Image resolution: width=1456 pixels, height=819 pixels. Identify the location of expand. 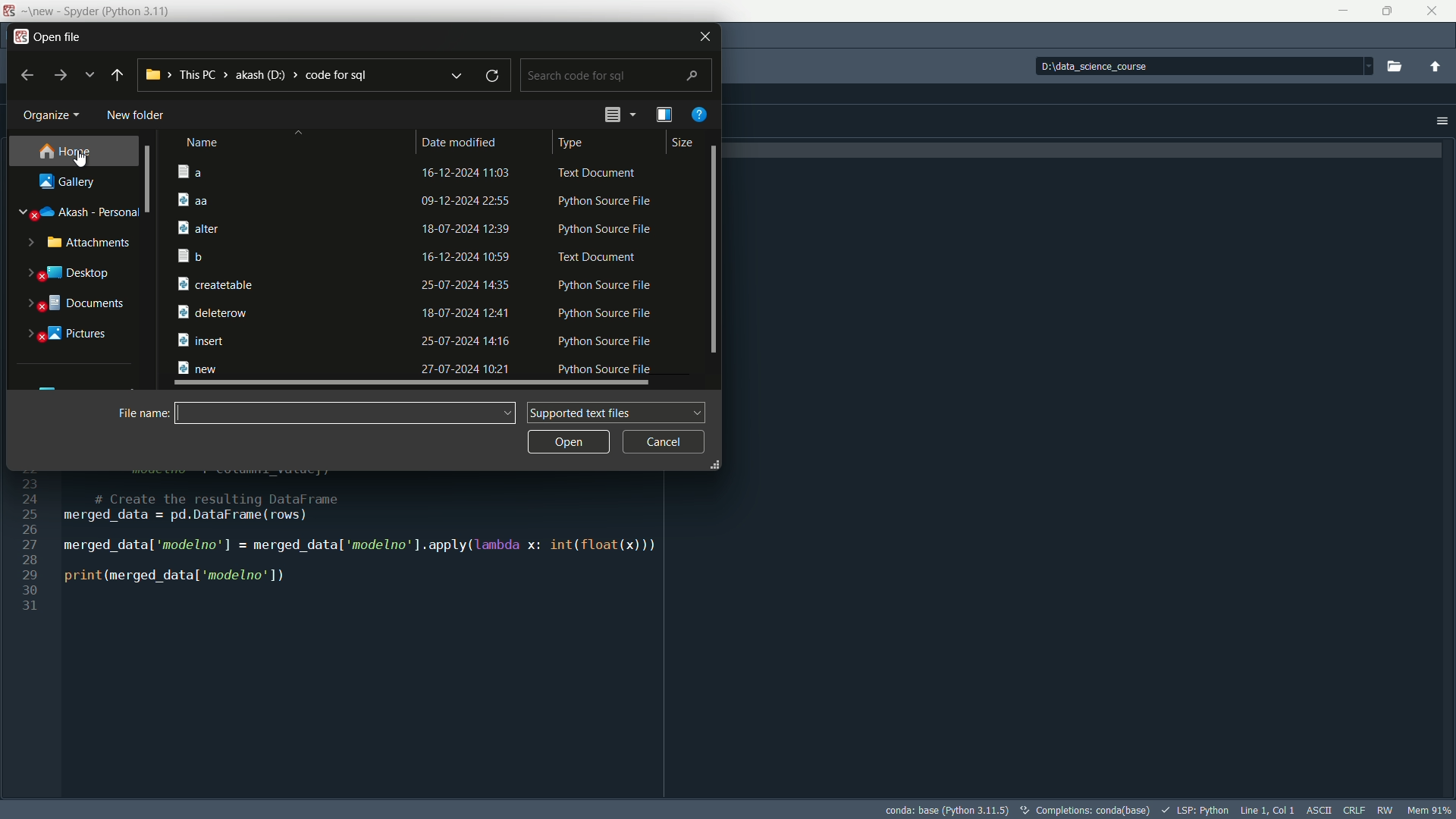
(29, 305).